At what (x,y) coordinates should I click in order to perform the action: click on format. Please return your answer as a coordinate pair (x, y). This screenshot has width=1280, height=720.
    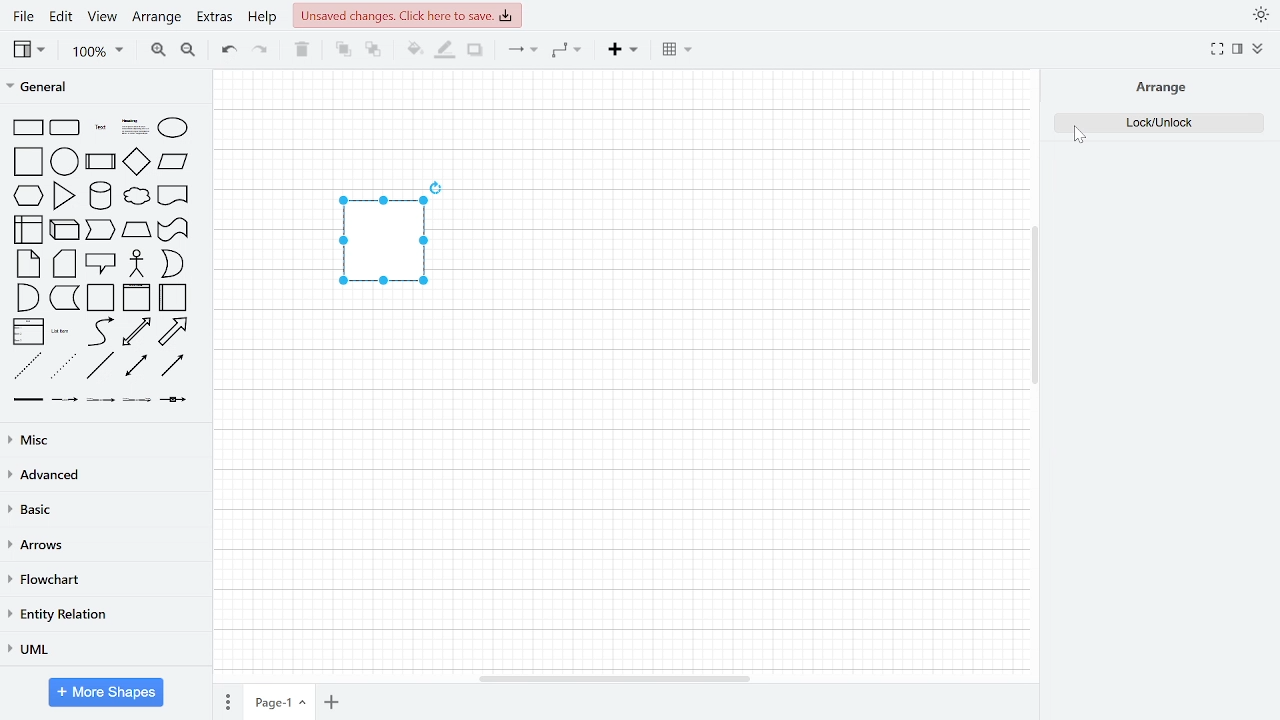
    Looking at the image, I should click on (1238, 49).